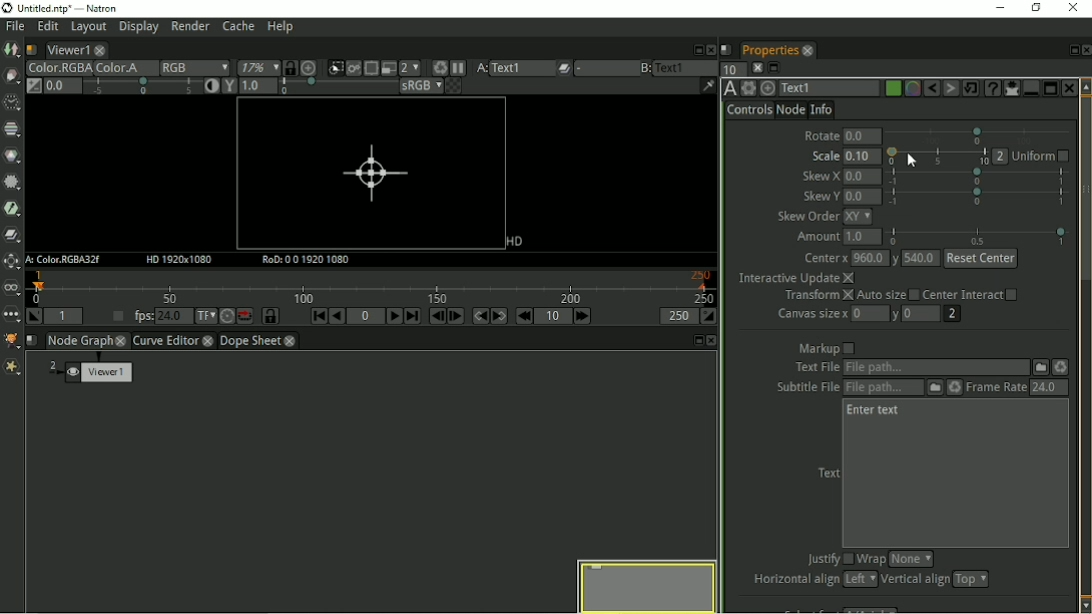 This screenshot has height=614, width=1092. What do you see at coordinates (748, 88) in the screenshot?
I see `Settings and presets` at bounding box center [748, 88].